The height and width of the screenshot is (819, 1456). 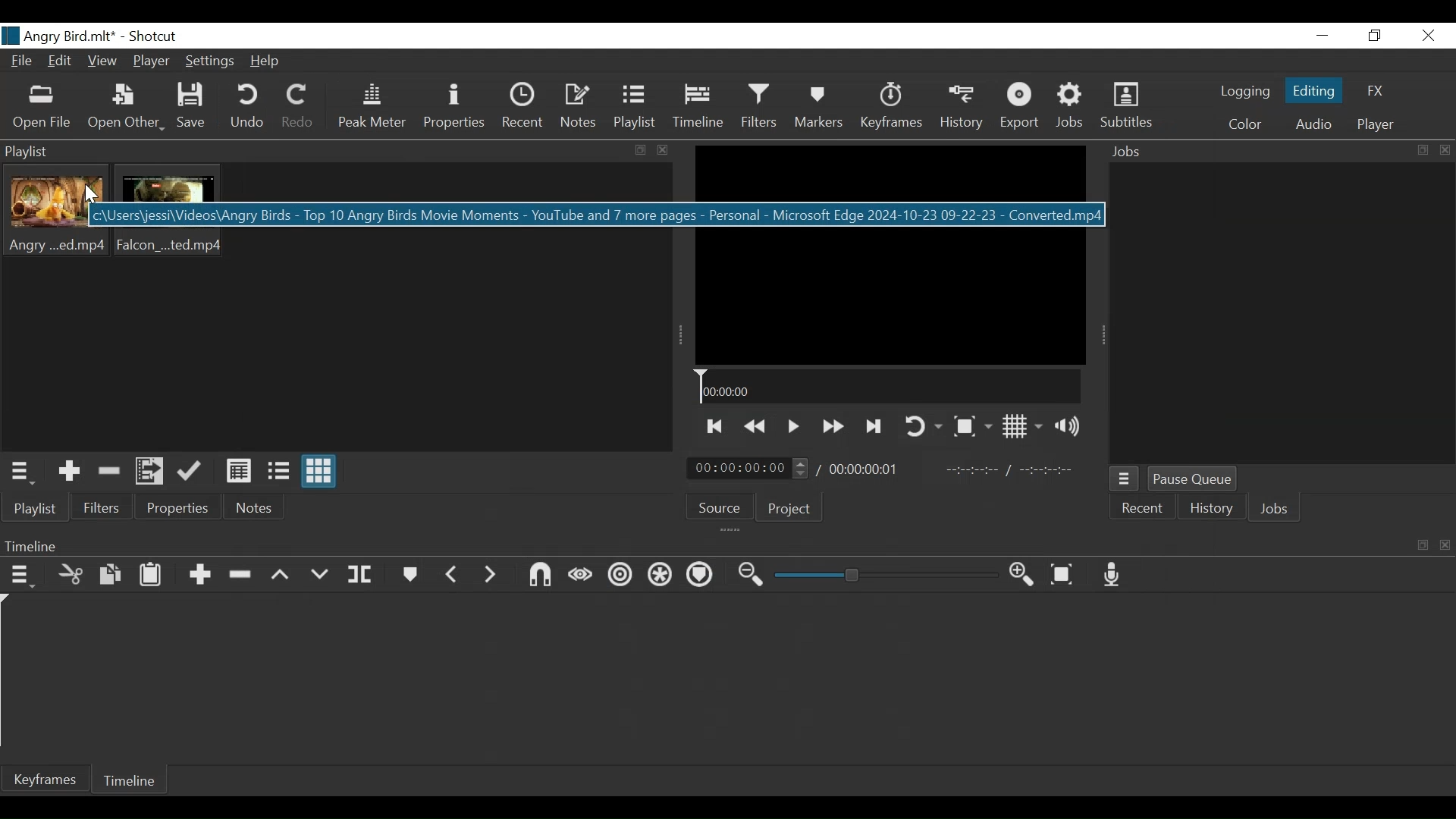 I want to click on Clip, so click(x=57, y=211).